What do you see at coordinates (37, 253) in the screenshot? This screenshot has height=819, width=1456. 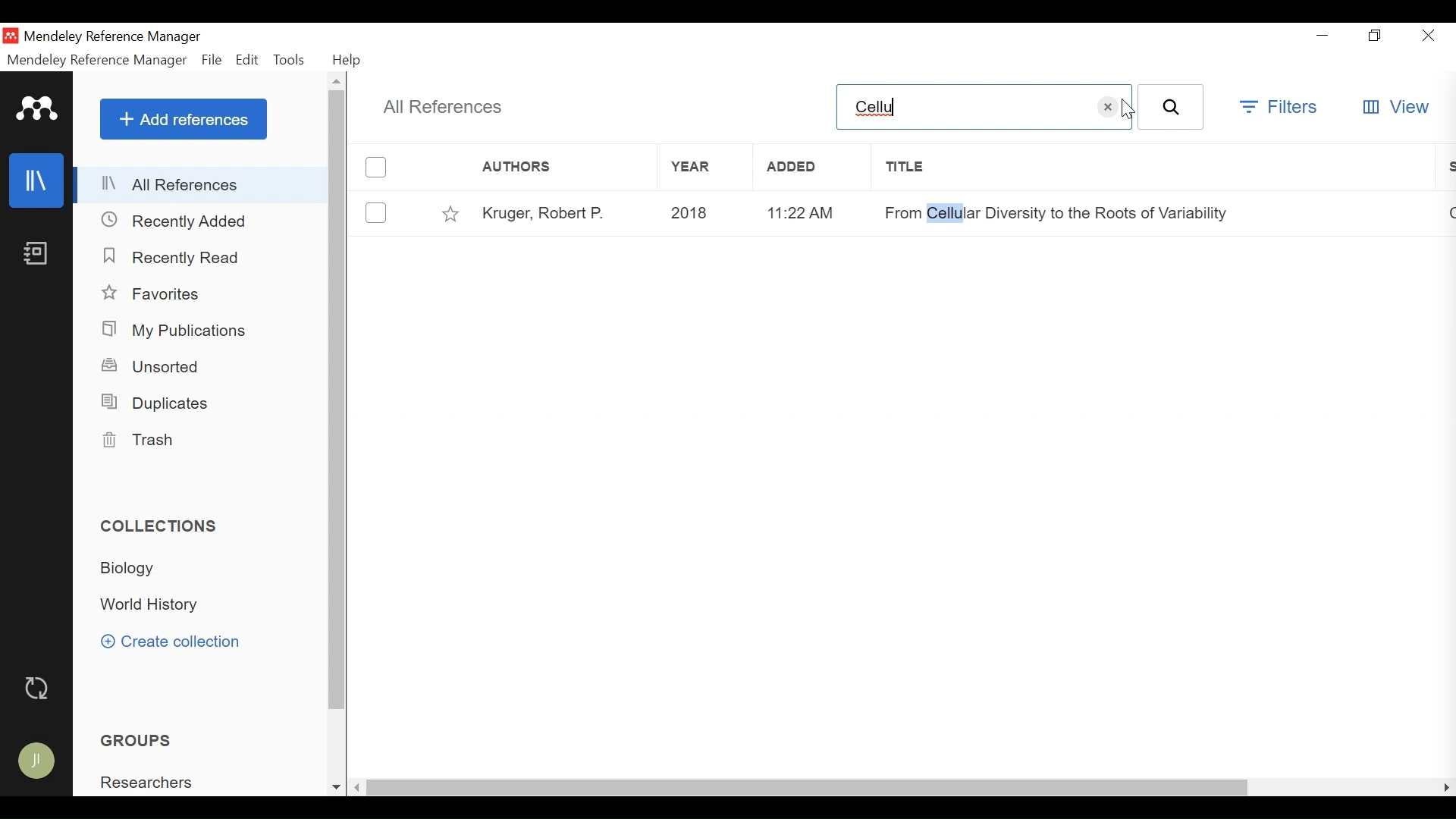 I see `Notebook` at bounding box center [37, 253].